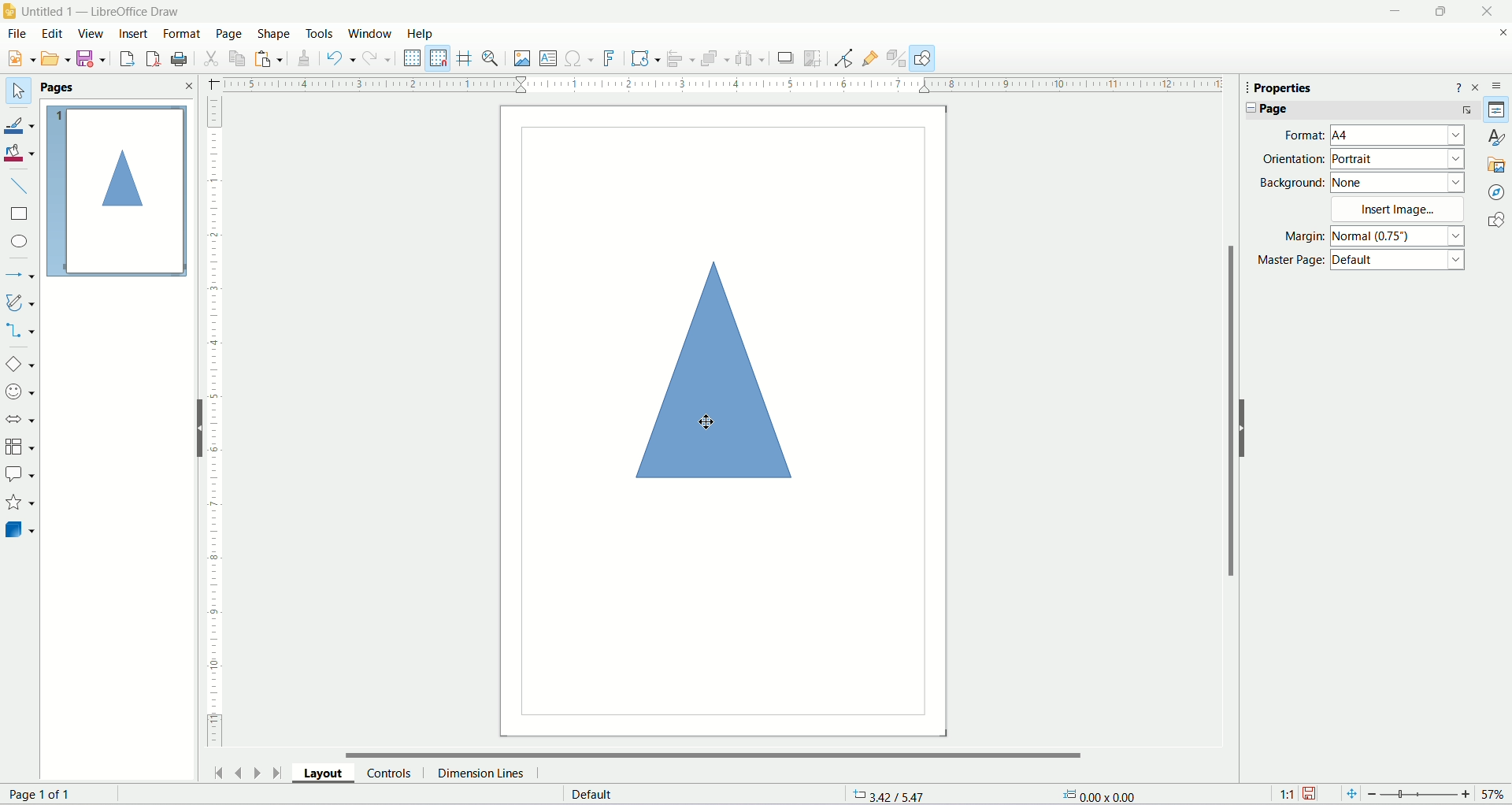  Describe the element at coordinates (255, 771) in the screenshot. I see `Move to next page` at that location.